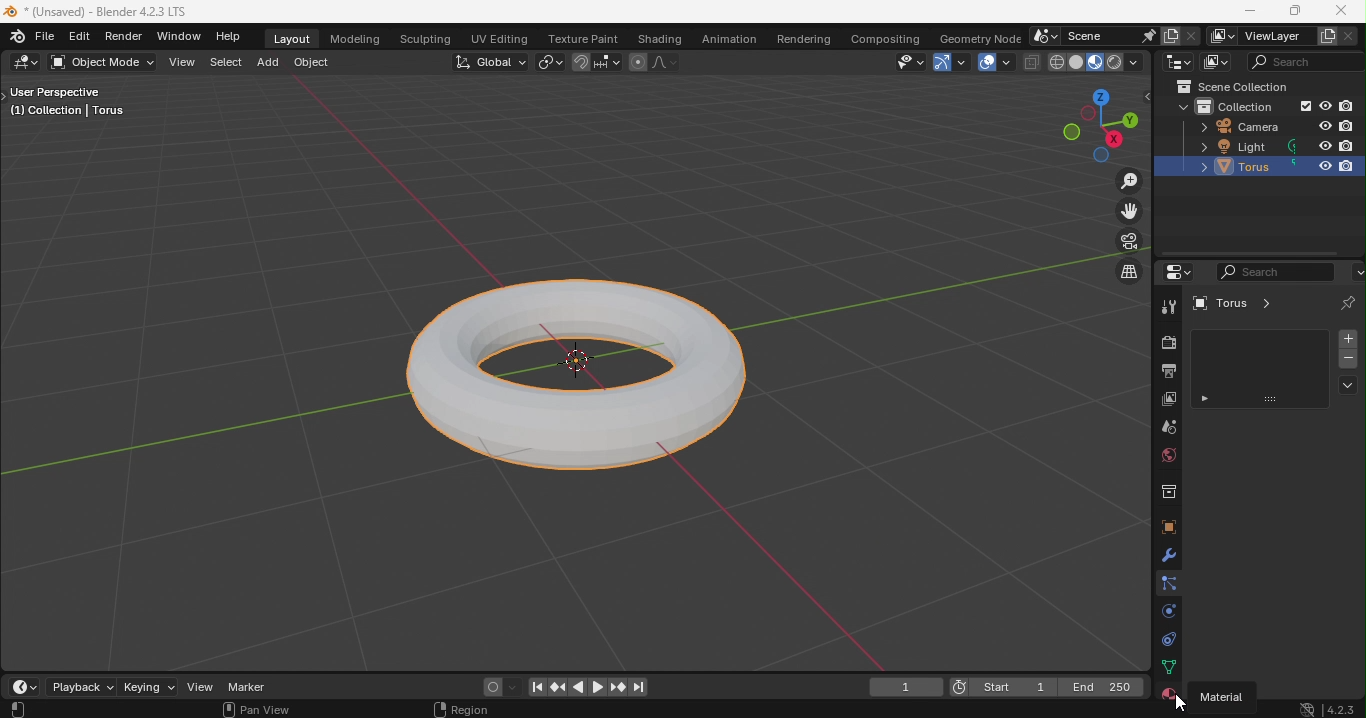 The width and height of the screenshot is (1366, 718). I want to click on Window, so click(181, 38).